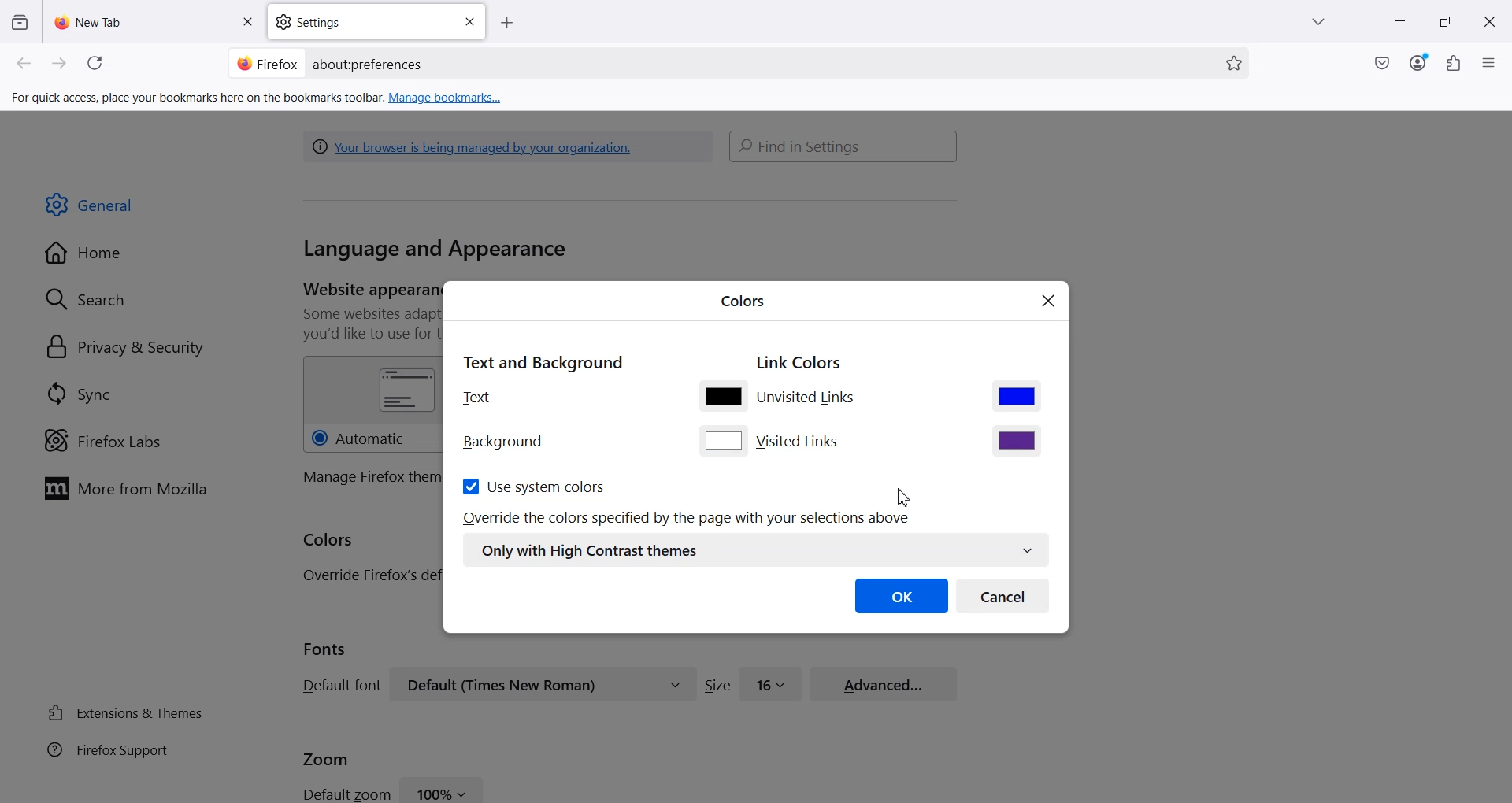  I want to click on @ Your browser is being managed by your organization., so click(476, 146).